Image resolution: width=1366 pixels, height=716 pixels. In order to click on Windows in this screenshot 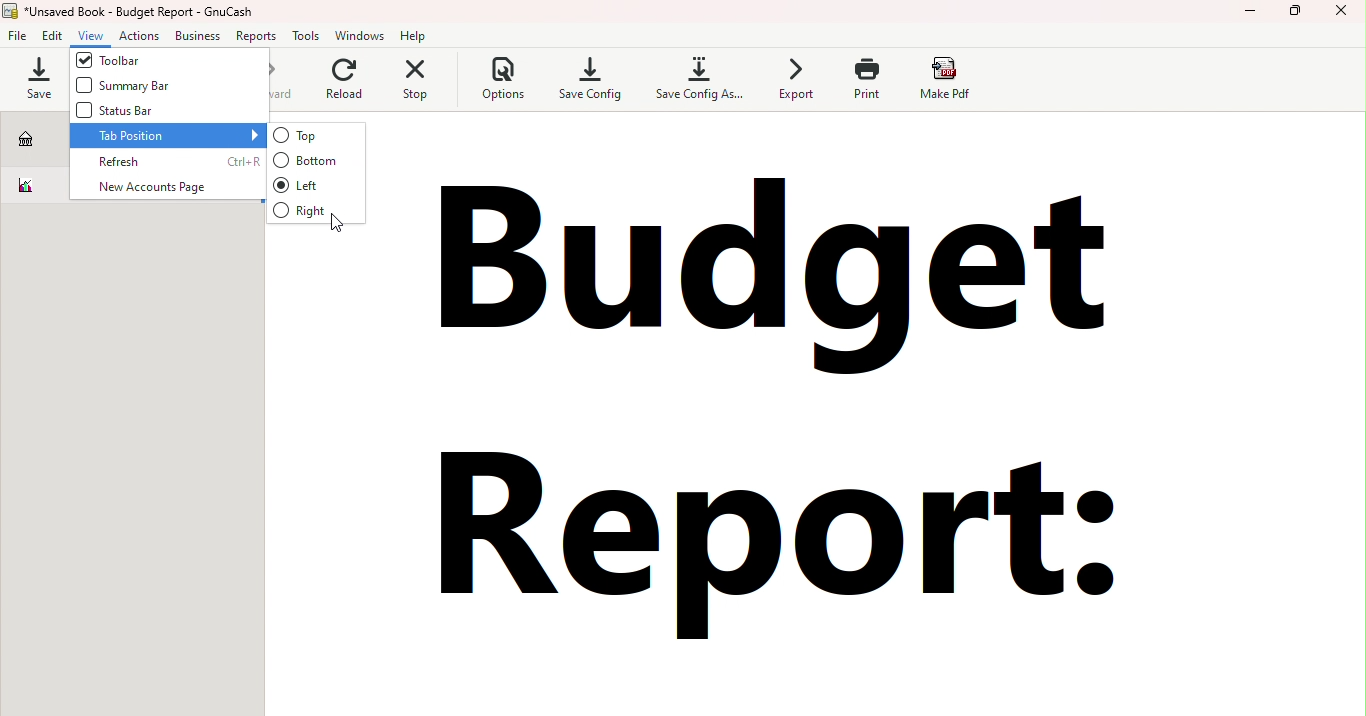, I will do `click(361, 37)`.